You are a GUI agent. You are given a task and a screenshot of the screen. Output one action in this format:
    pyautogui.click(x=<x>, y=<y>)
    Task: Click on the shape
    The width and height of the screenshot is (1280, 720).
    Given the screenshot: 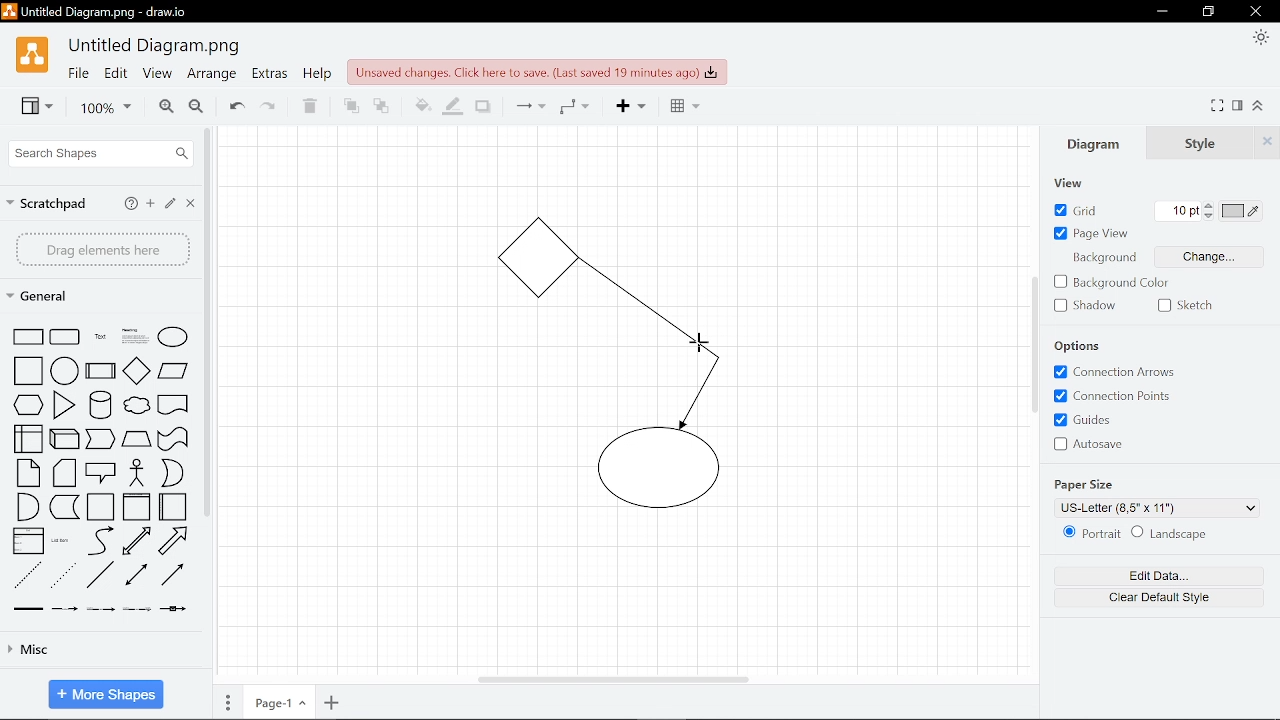 What is the action you would take?
    pyautogui.click(x=173, y=336)
    